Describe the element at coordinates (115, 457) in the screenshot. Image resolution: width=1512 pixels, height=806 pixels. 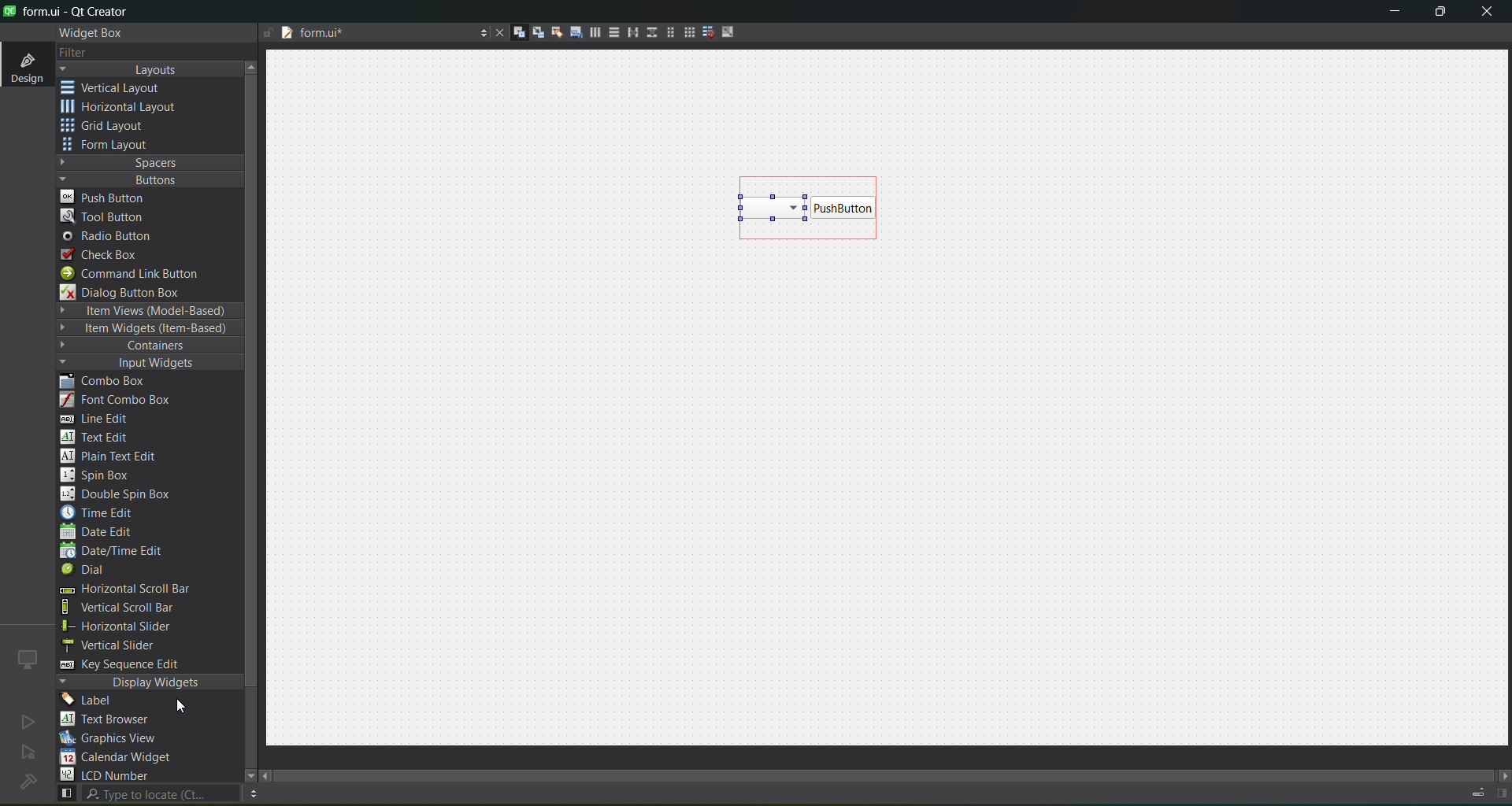
I see `plain text edit` at that location.